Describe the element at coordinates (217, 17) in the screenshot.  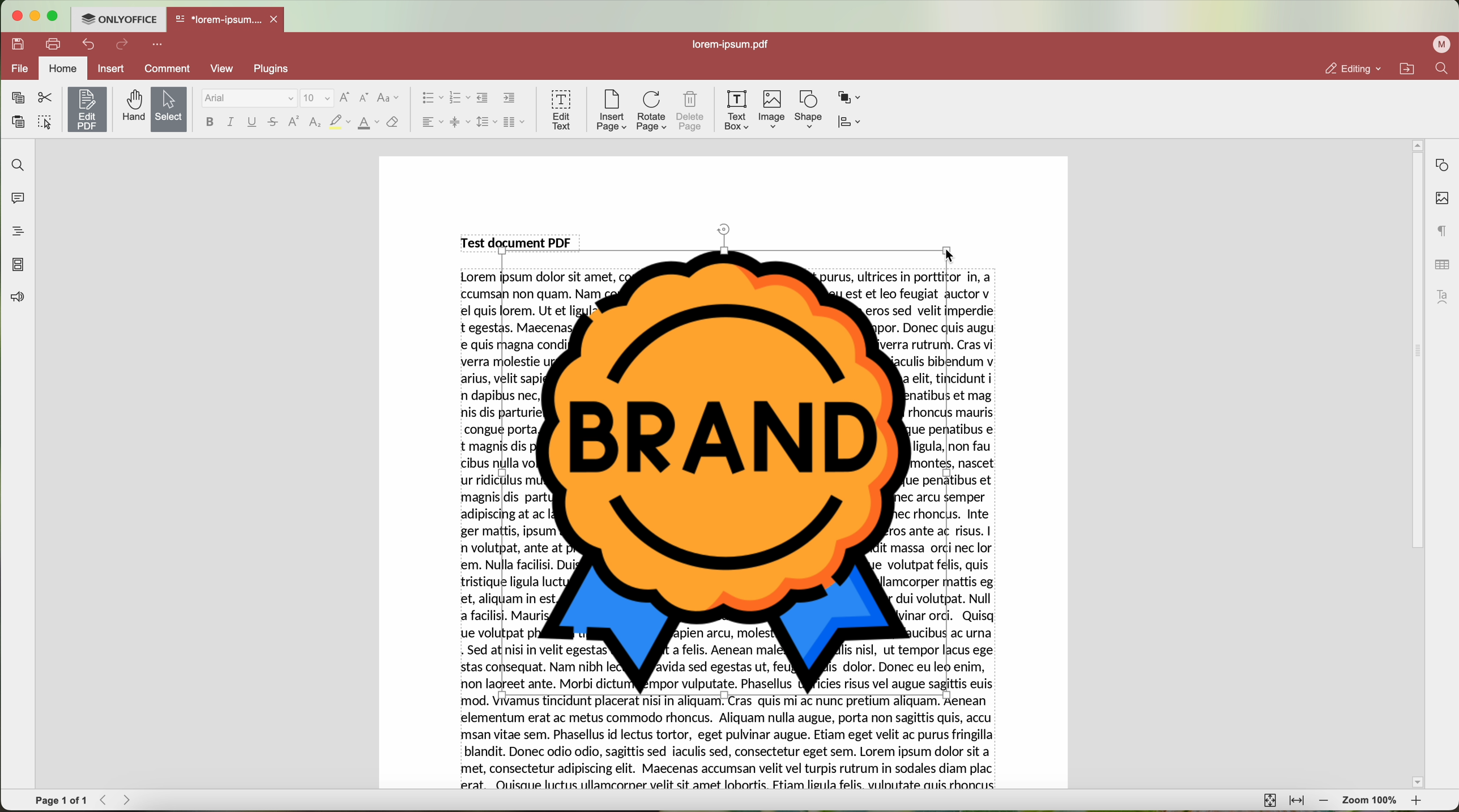
I see `*lorem-ipsum....` at that location.